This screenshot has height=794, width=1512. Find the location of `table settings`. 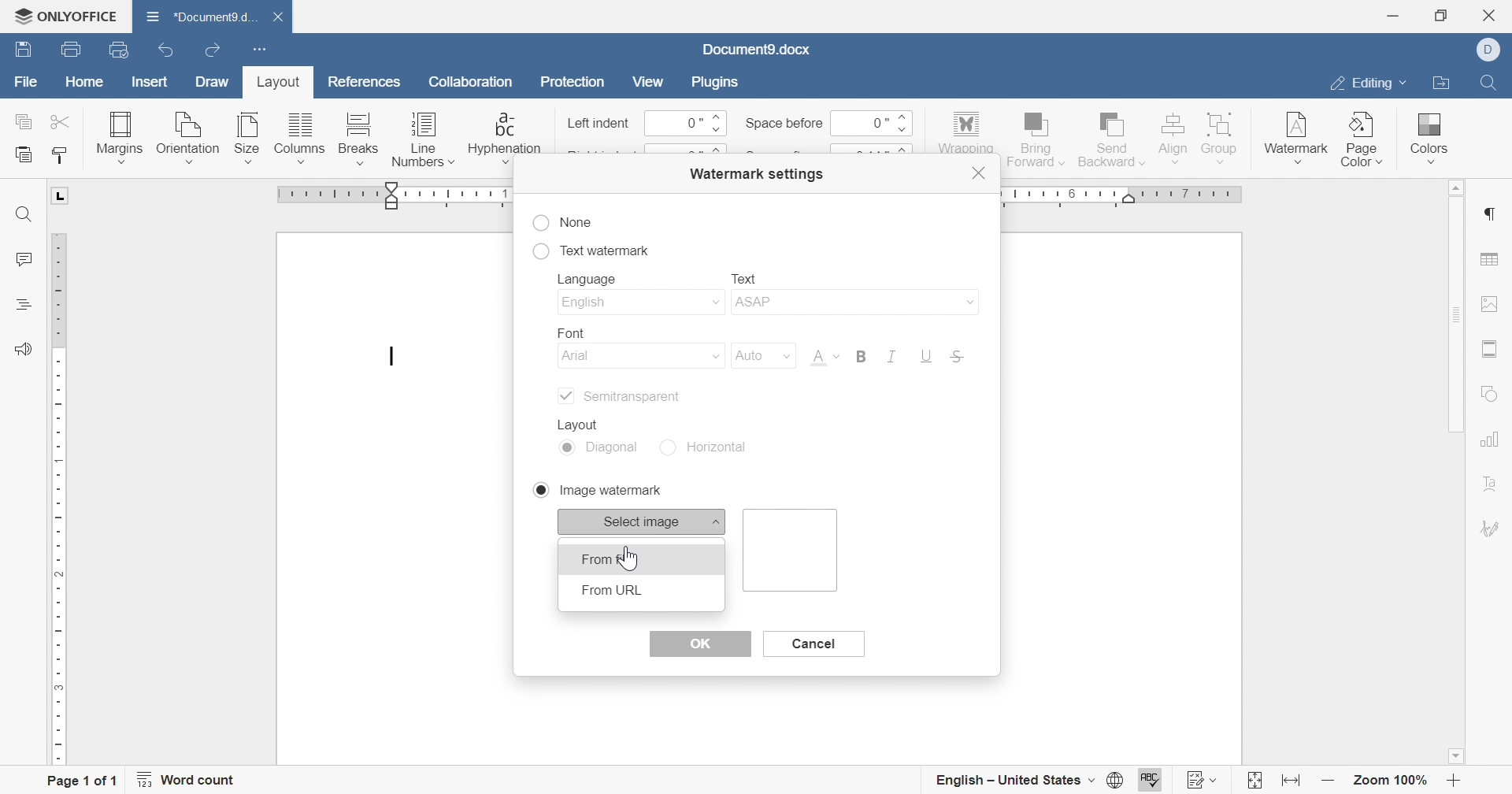

table settings is located at coordinates (1489, 261).